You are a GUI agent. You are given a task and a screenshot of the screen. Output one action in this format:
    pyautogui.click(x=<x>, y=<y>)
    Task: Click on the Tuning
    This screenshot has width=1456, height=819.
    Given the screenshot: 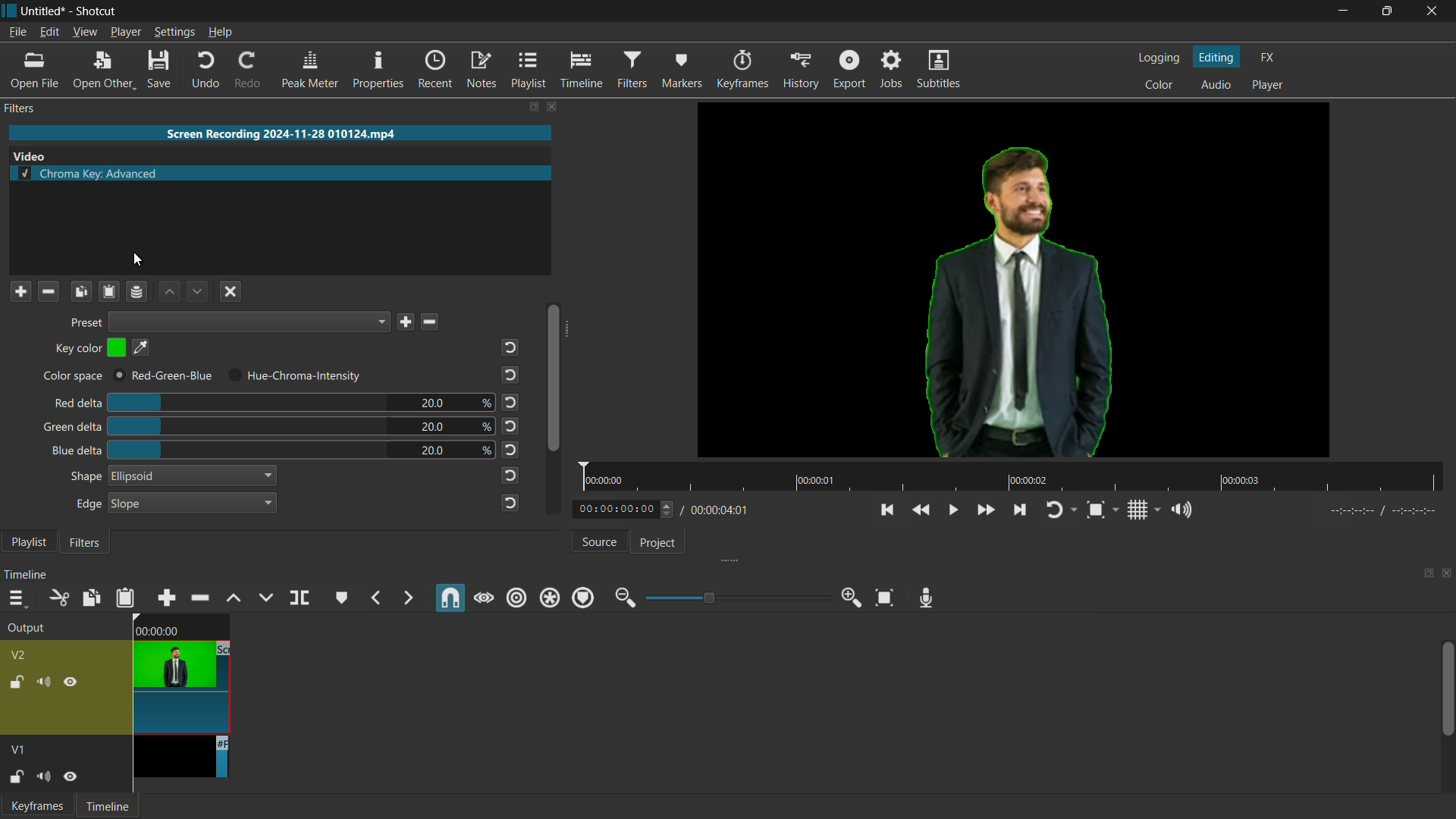 What is the action you would take?
    pyautogui.click(x=1384, y=511)
    